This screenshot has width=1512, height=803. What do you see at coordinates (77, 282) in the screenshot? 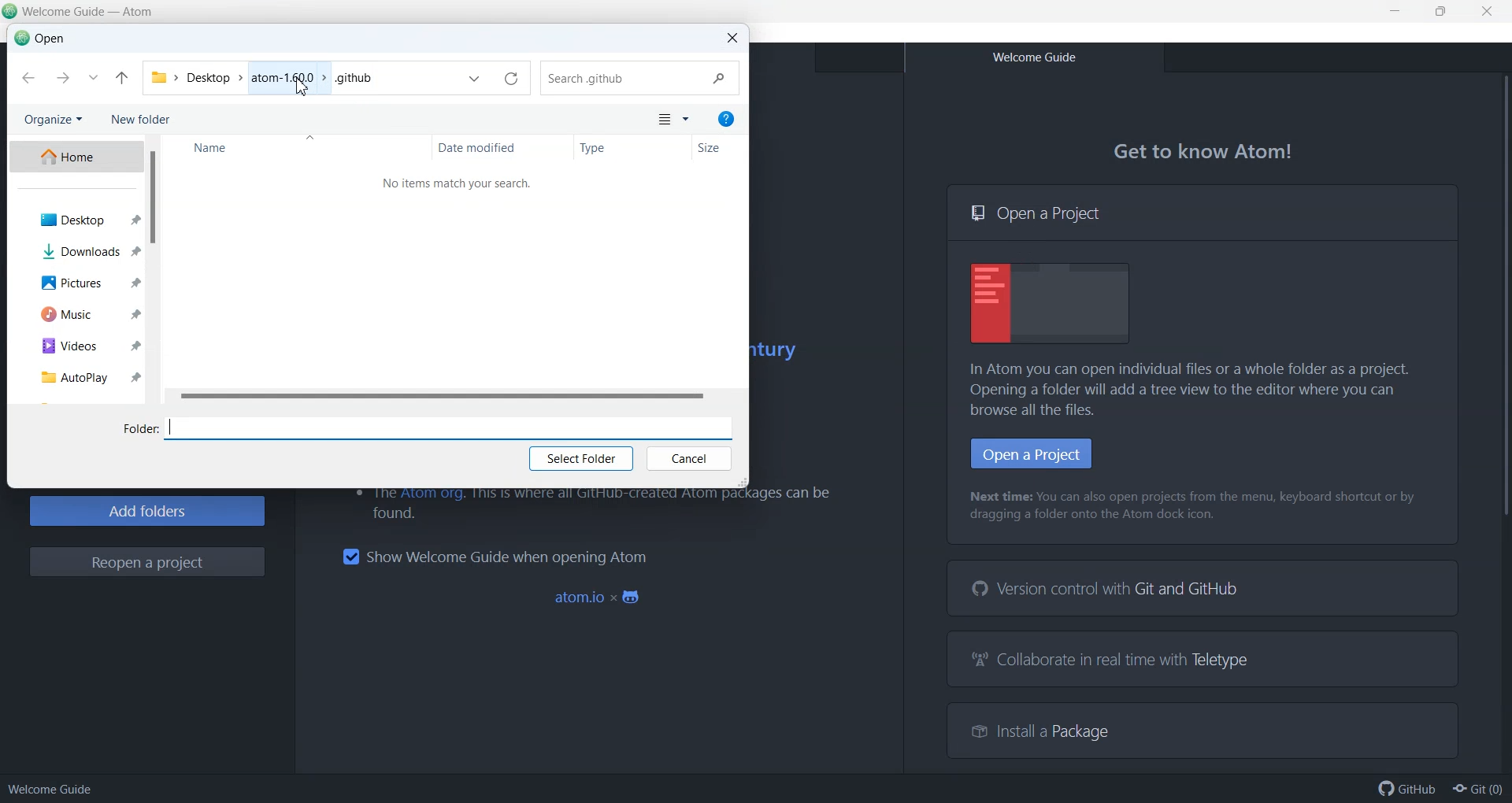
I see `Picture` at bounding box center [77, 282].